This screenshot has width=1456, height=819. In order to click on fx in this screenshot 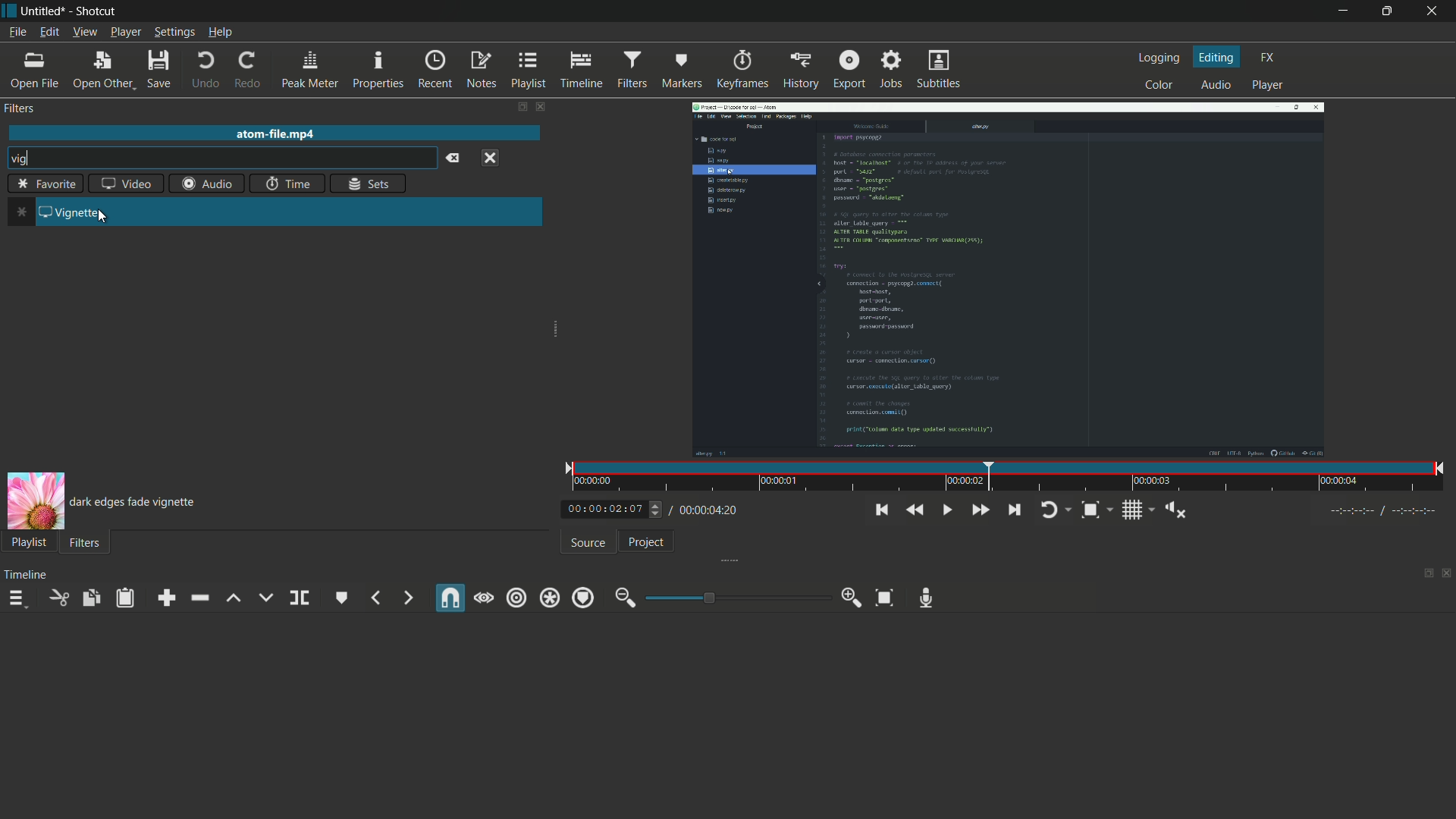, I will do `click(1271, 58)`.